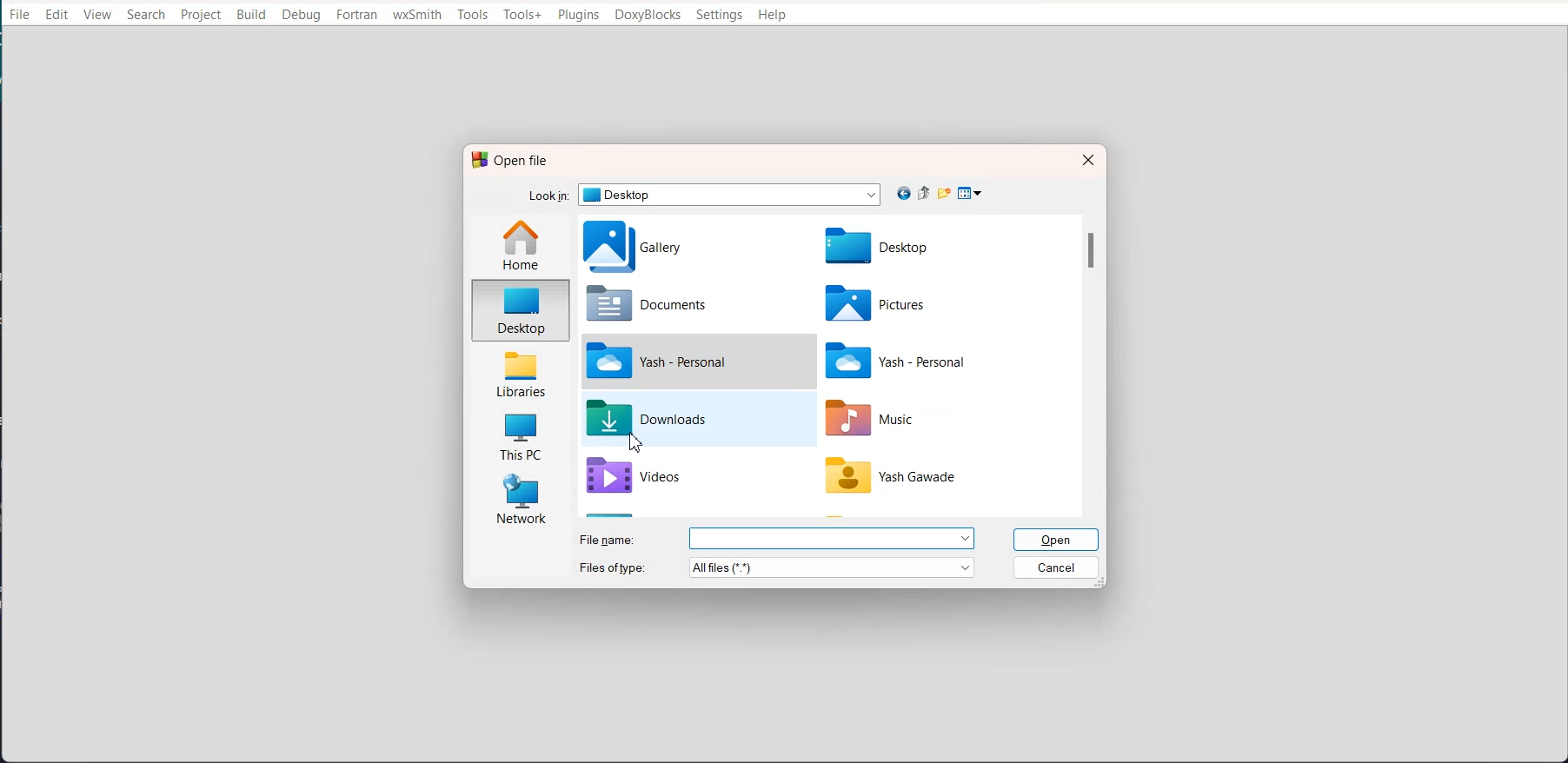 The width and height of the screenshot is (1568, 763). What do you see at coordinates (719, 15) in the screenshot?
I see `Settings` at bounding box center [719, 15].